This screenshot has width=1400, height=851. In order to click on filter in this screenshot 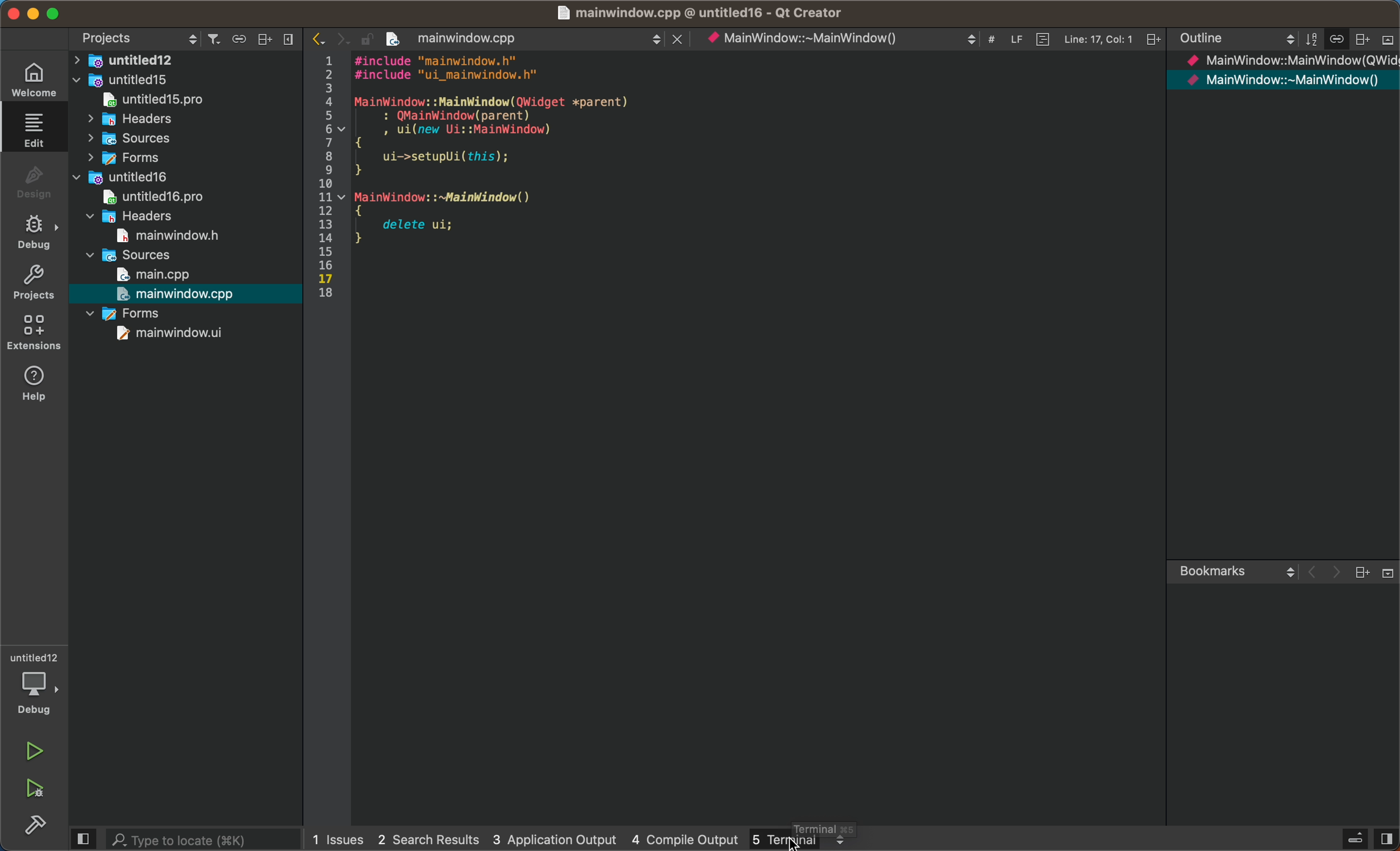, I will do `click(212, 39)`.